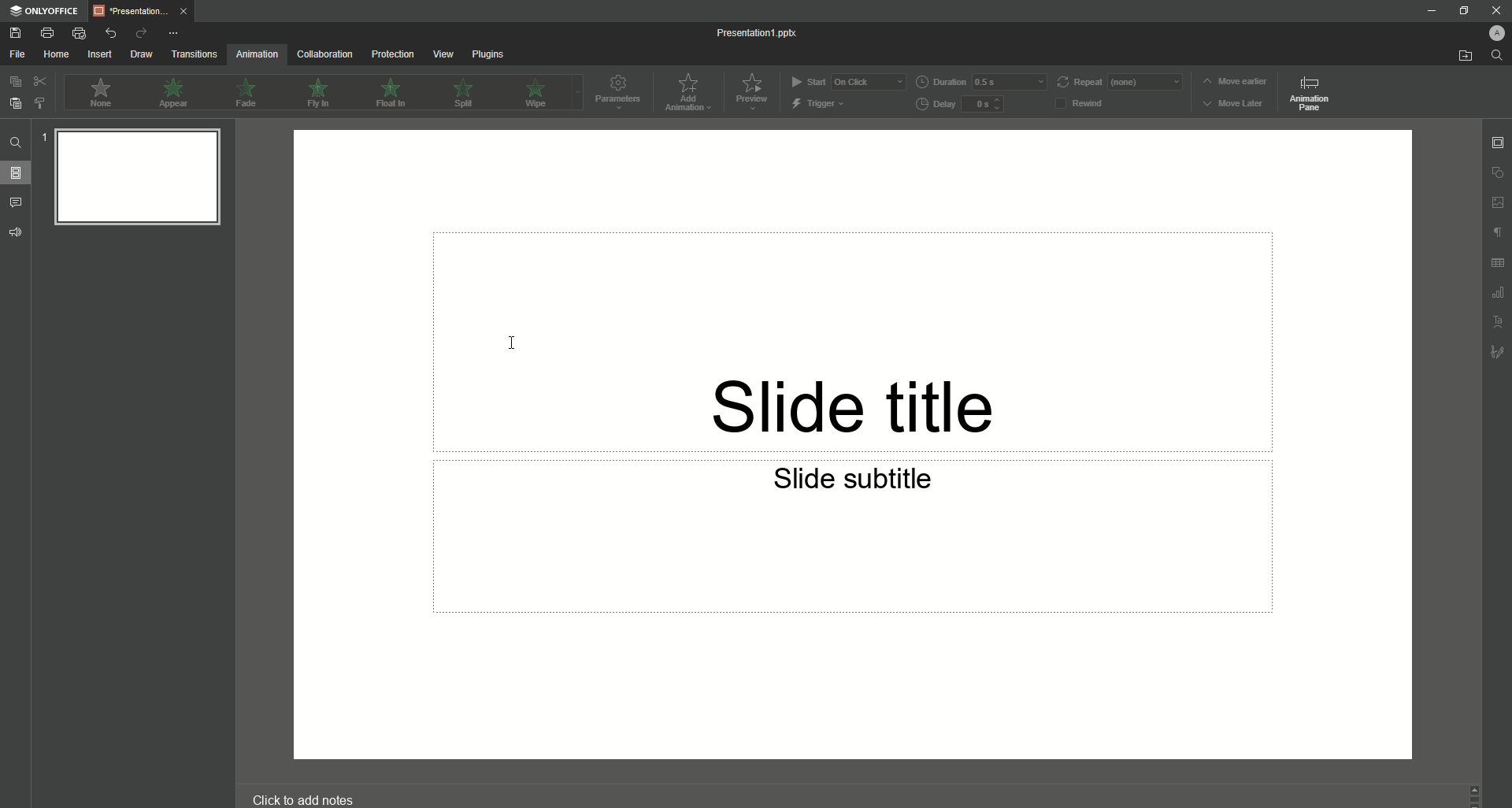 The image size is (1512, 808). Describe the element at coordinates (191, 55) in the screenshot. I see `Transitions` at that location.